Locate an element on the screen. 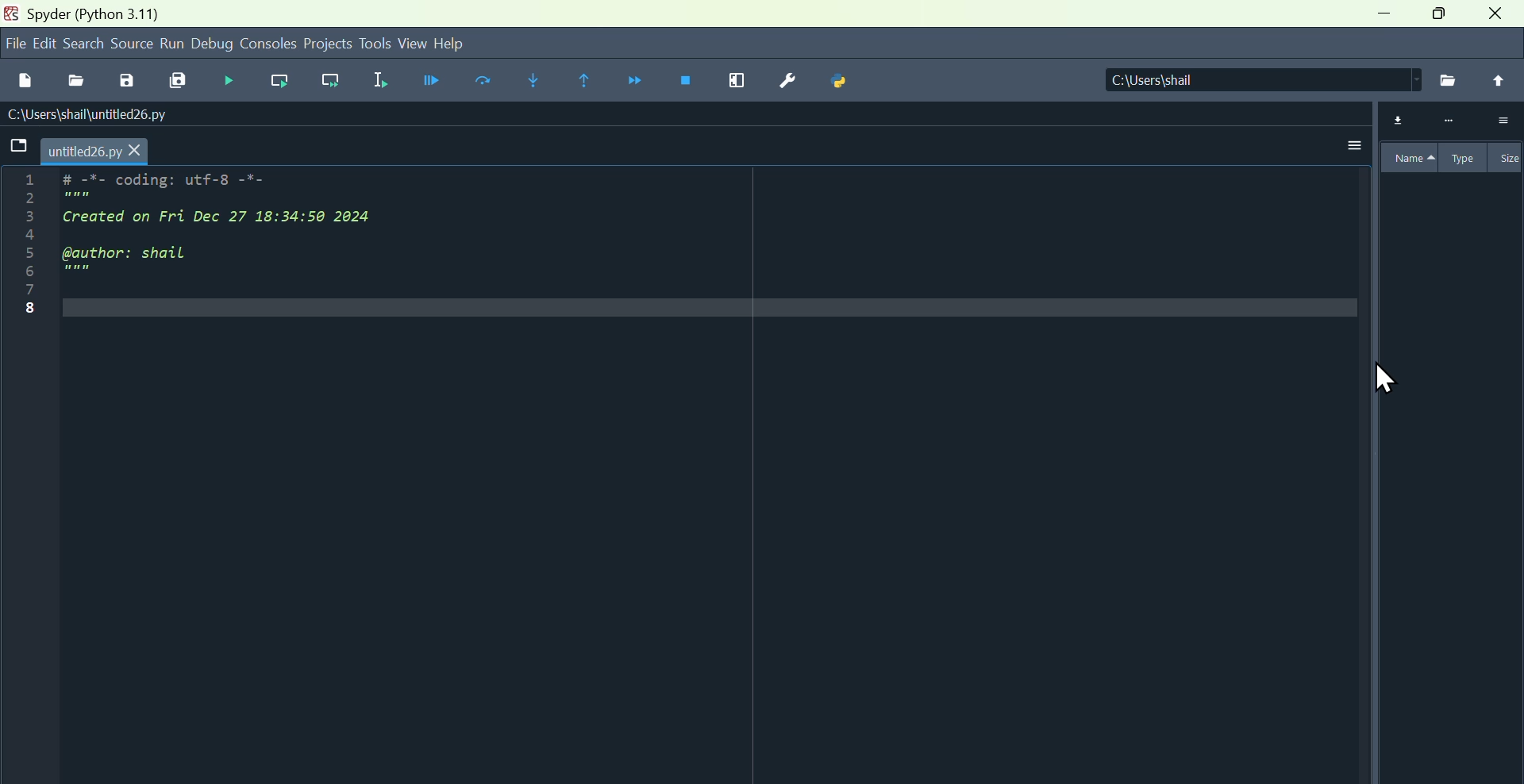  untitled26.py  is located at coordinates (99, 151).